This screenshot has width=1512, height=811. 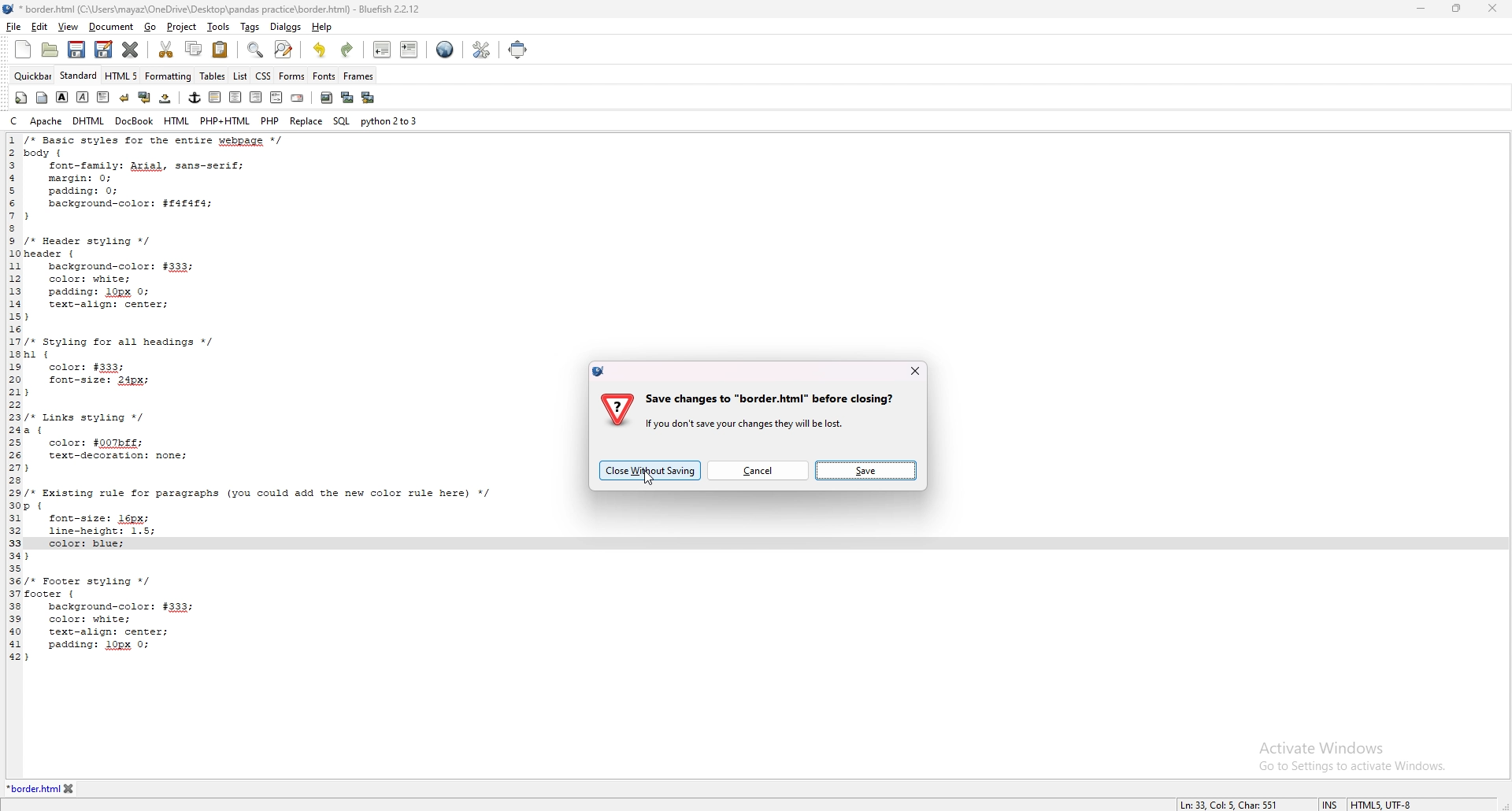 What do you see at coordinates (121, 76) in the screenshot?
I see `html 5` at bounding box center [121, 76].